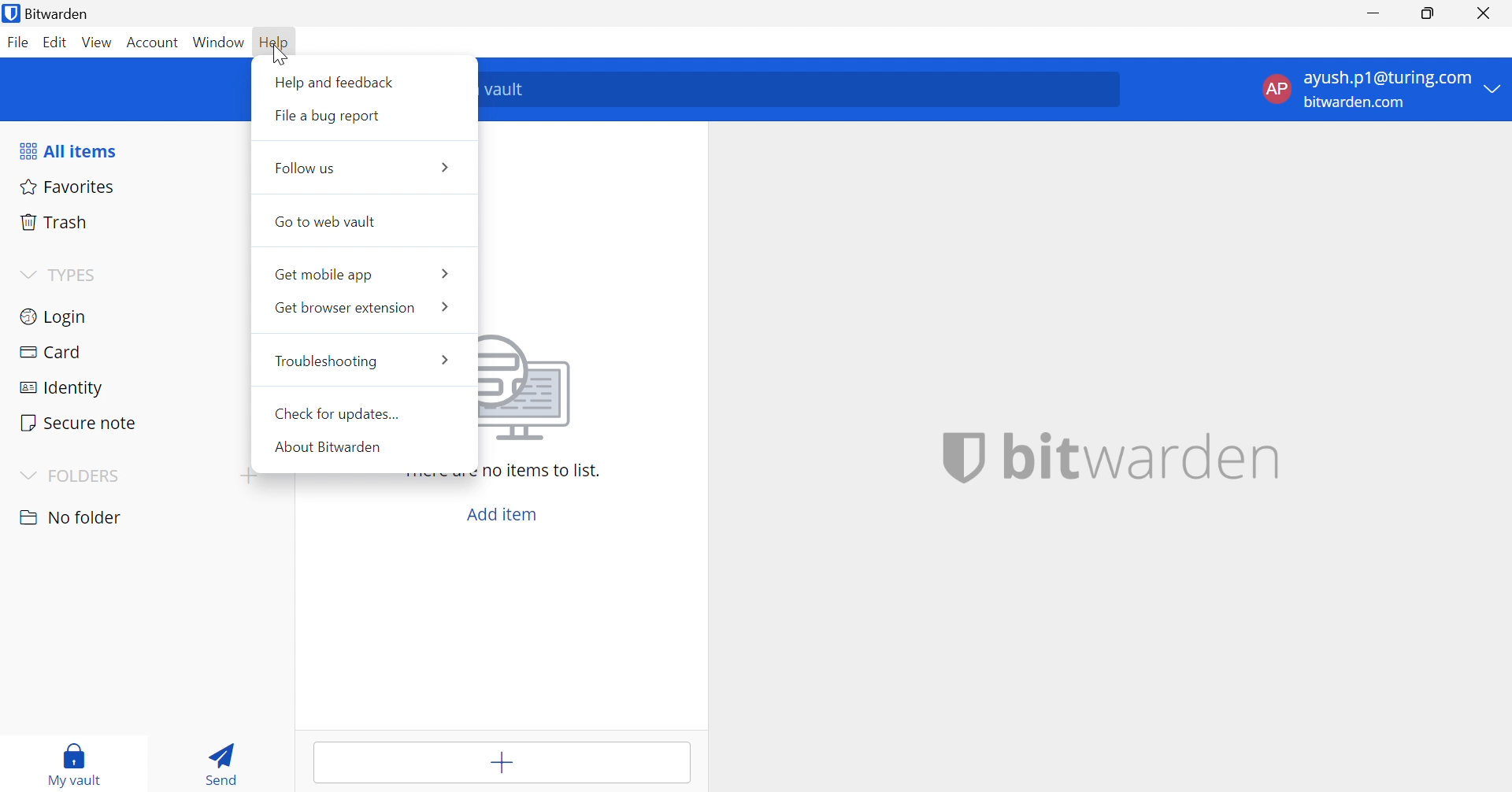 The width and height of the screenshot is (1512, 792). I want to click on View, so click(98, 43).